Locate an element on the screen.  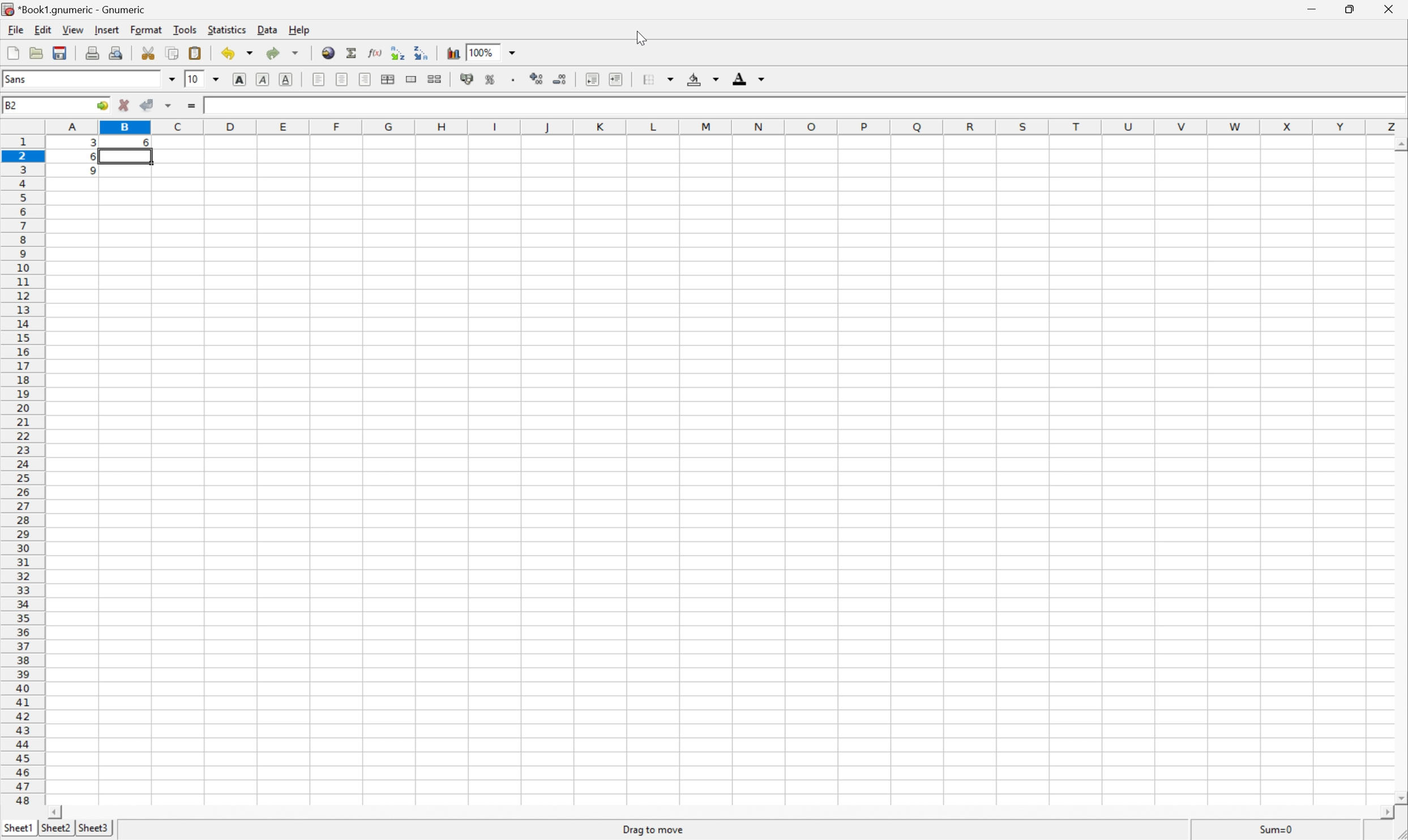
Merge a range of cells is located at coordinates (411, 79).